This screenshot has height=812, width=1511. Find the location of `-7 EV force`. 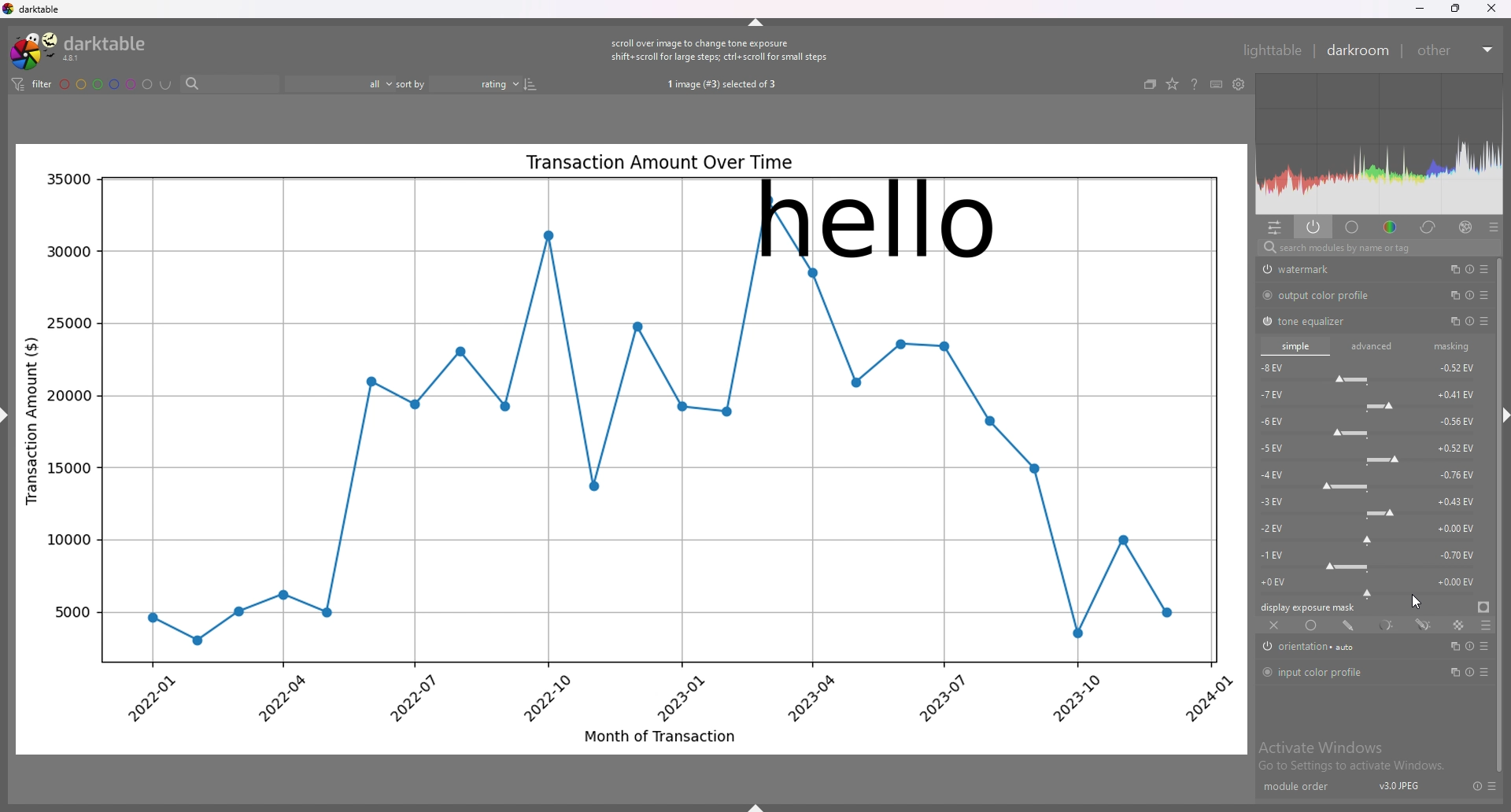

-7 EV force is located at coordinates (1369, 398).